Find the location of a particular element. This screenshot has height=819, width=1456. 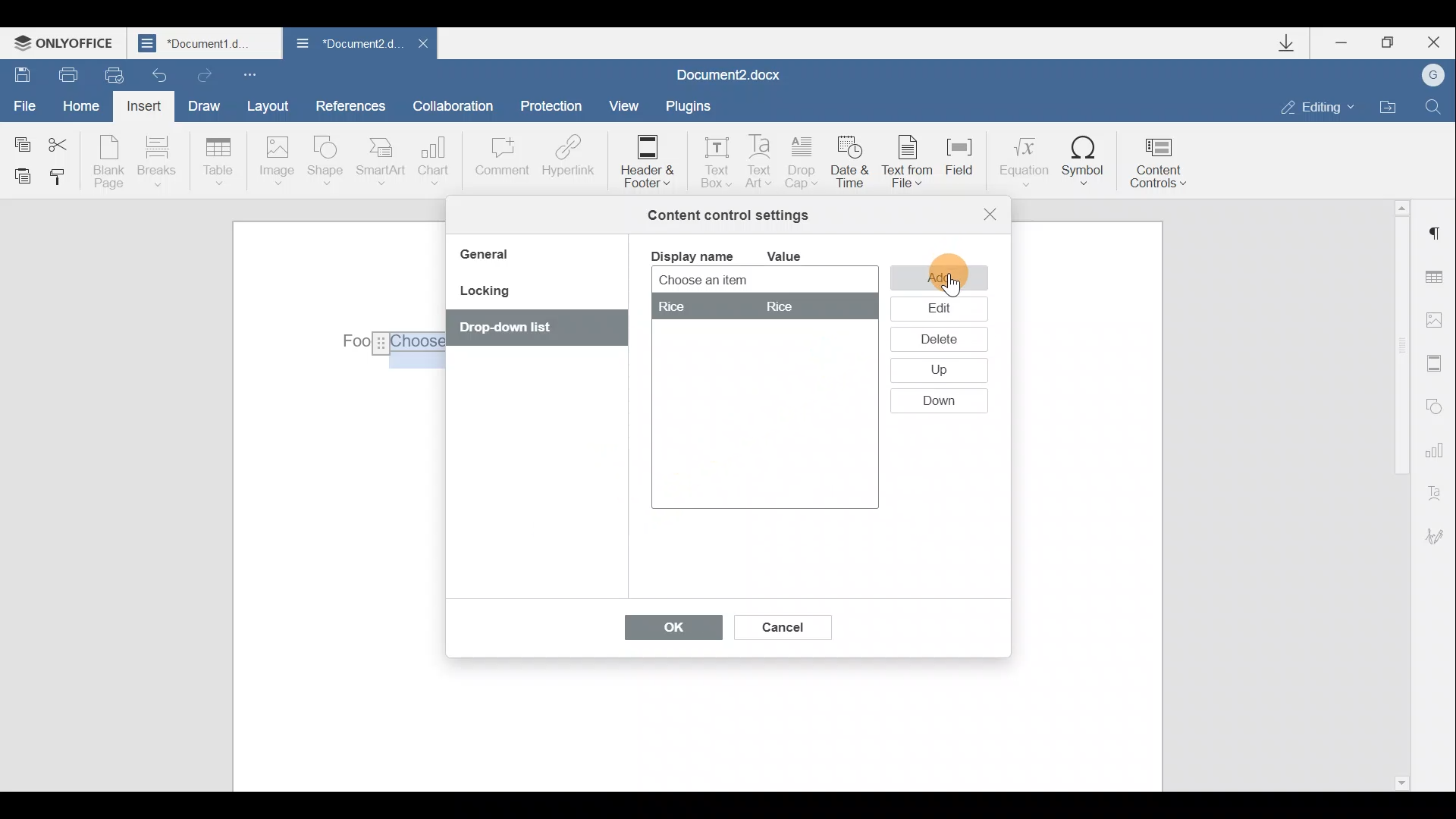

Close is located at coordinates (1432, 42).